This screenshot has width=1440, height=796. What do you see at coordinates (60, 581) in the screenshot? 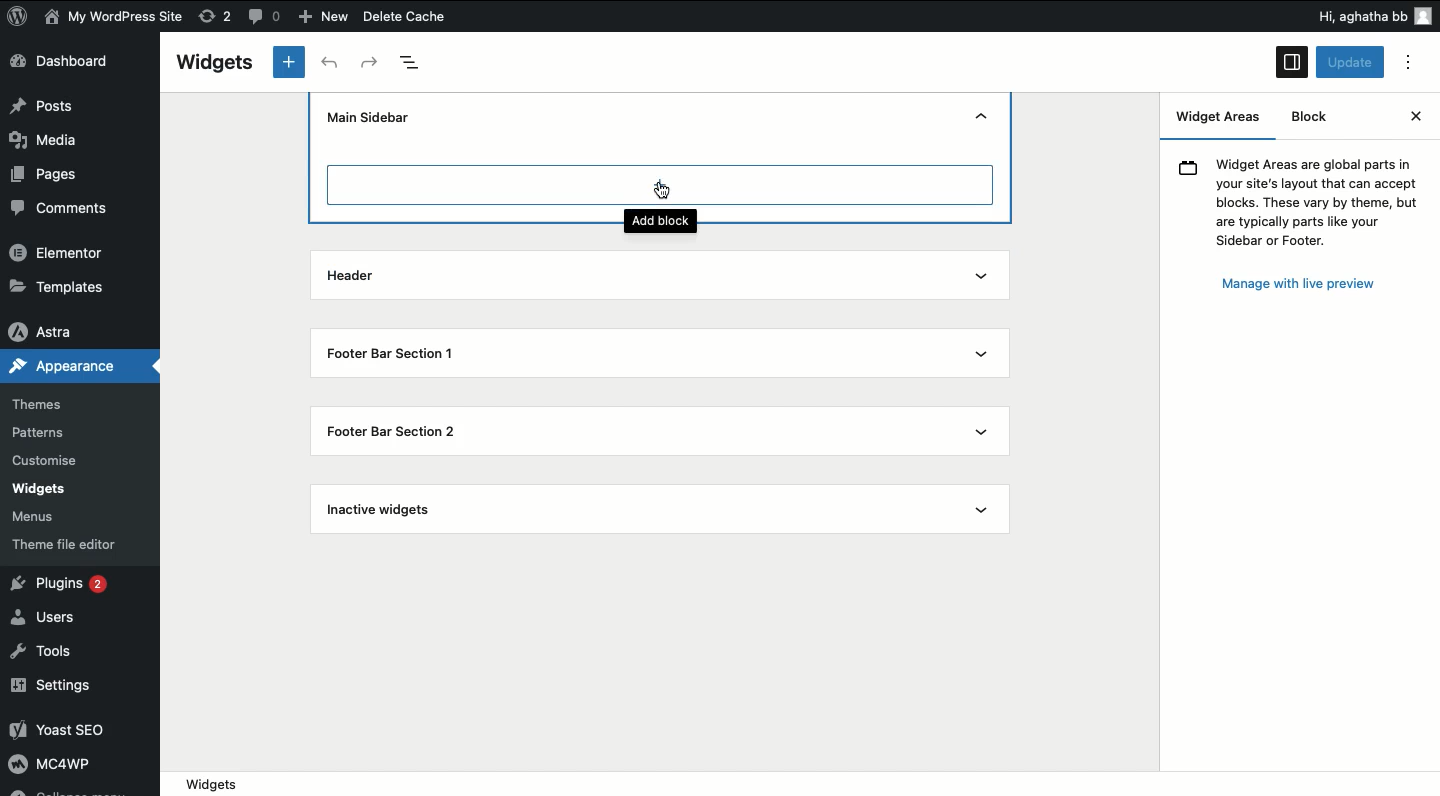
I see `Plugins 2` at bounding box center [60, 581].